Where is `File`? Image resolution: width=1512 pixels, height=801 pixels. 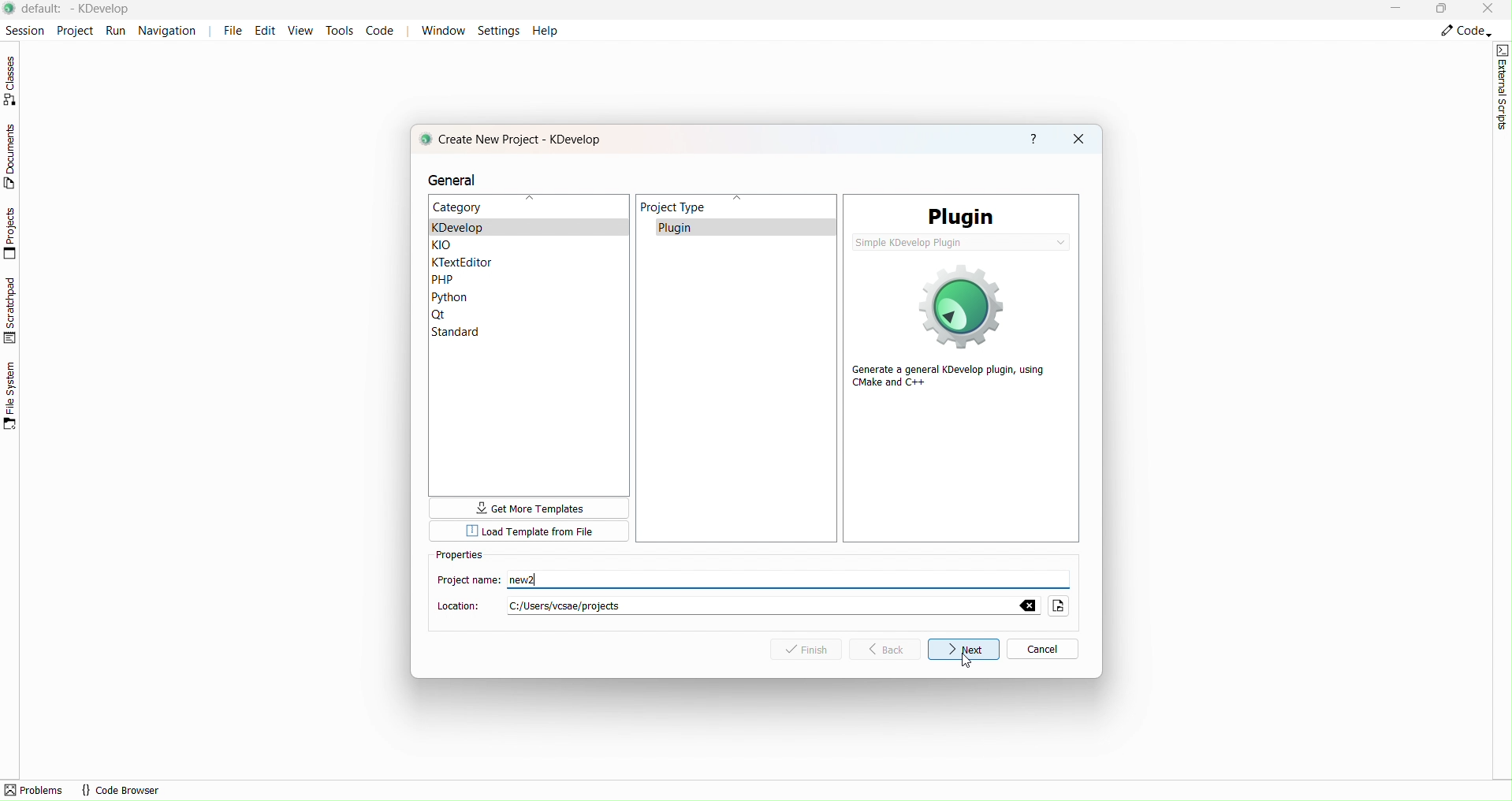
File is located at coordinates (233, 31).